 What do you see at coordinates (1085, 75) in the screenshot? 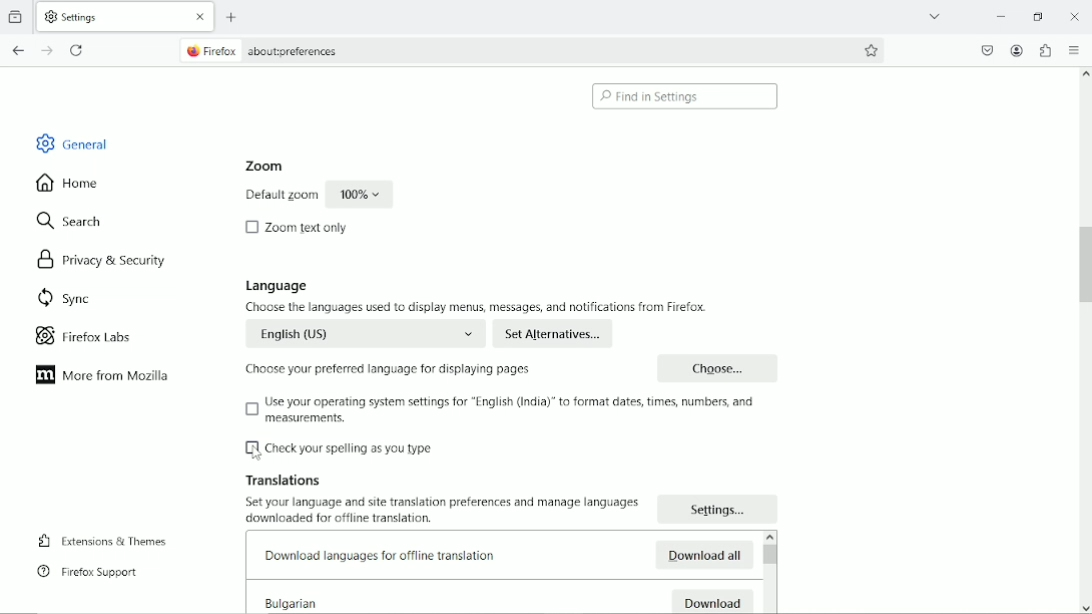
I see `scroll up` at bounding box center [1085, 75].